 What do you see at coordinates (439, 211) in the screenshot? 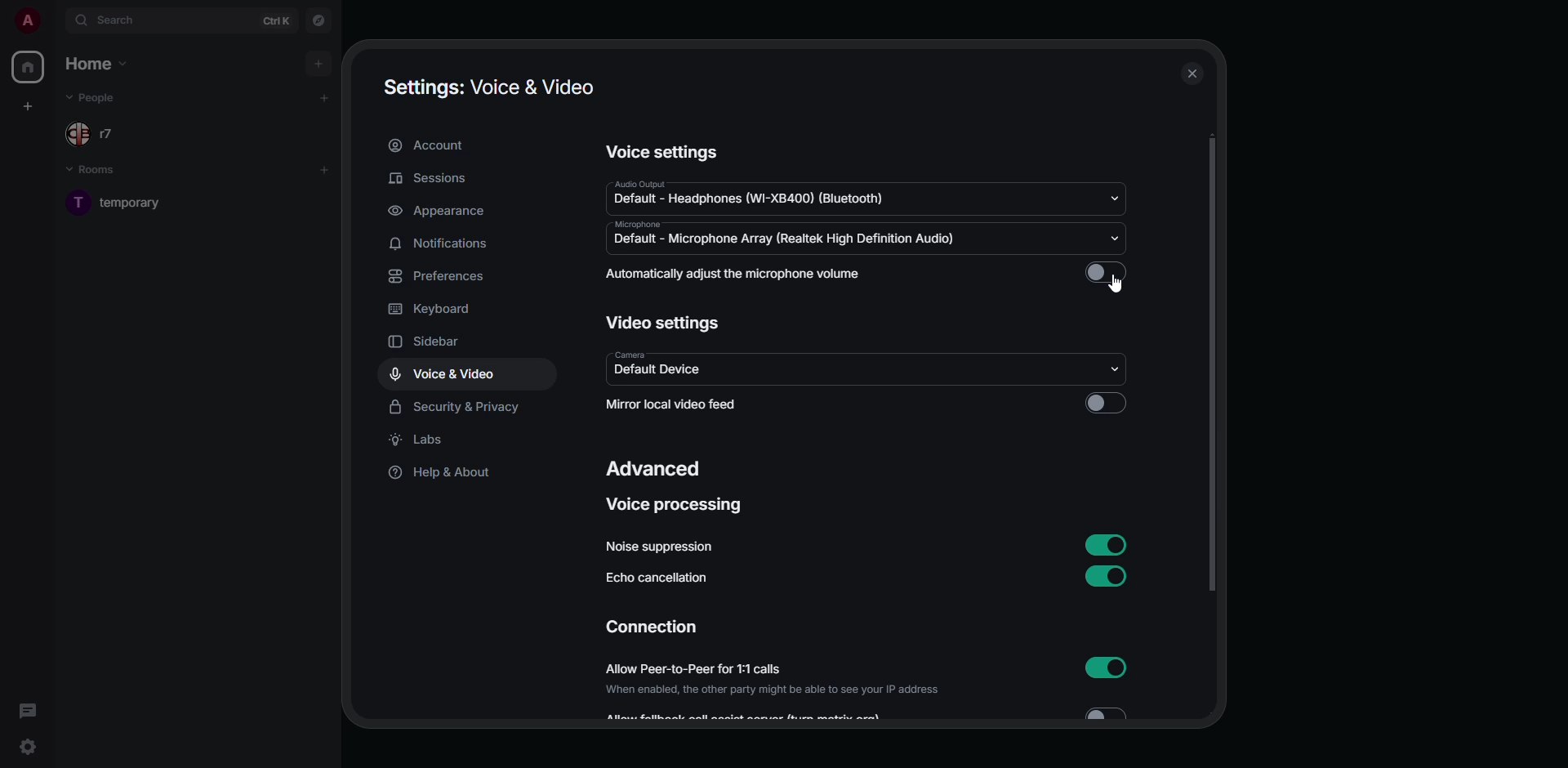
I see `appearance` at bounding box center [439, 211].